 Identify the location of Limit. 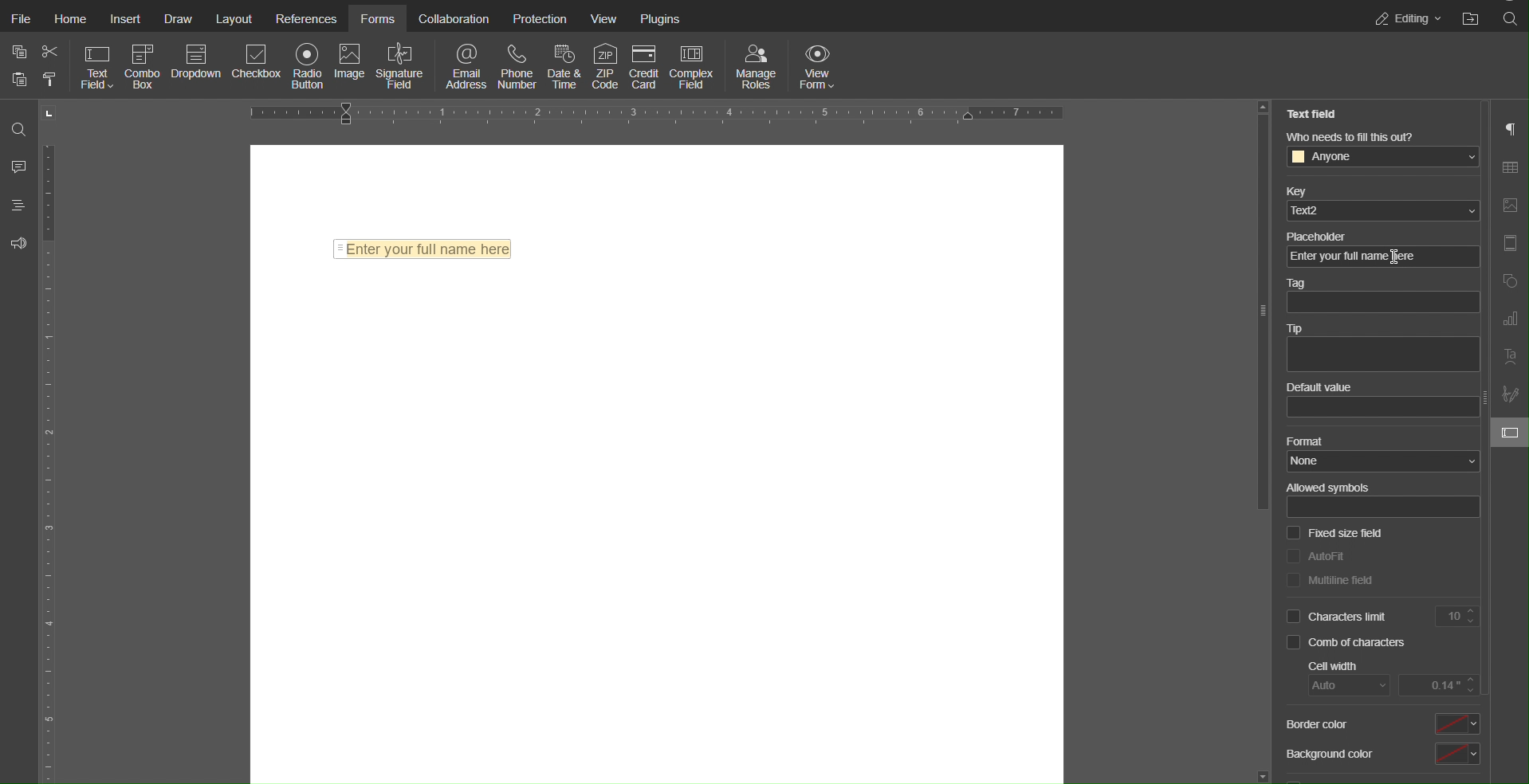
(1459, 615).